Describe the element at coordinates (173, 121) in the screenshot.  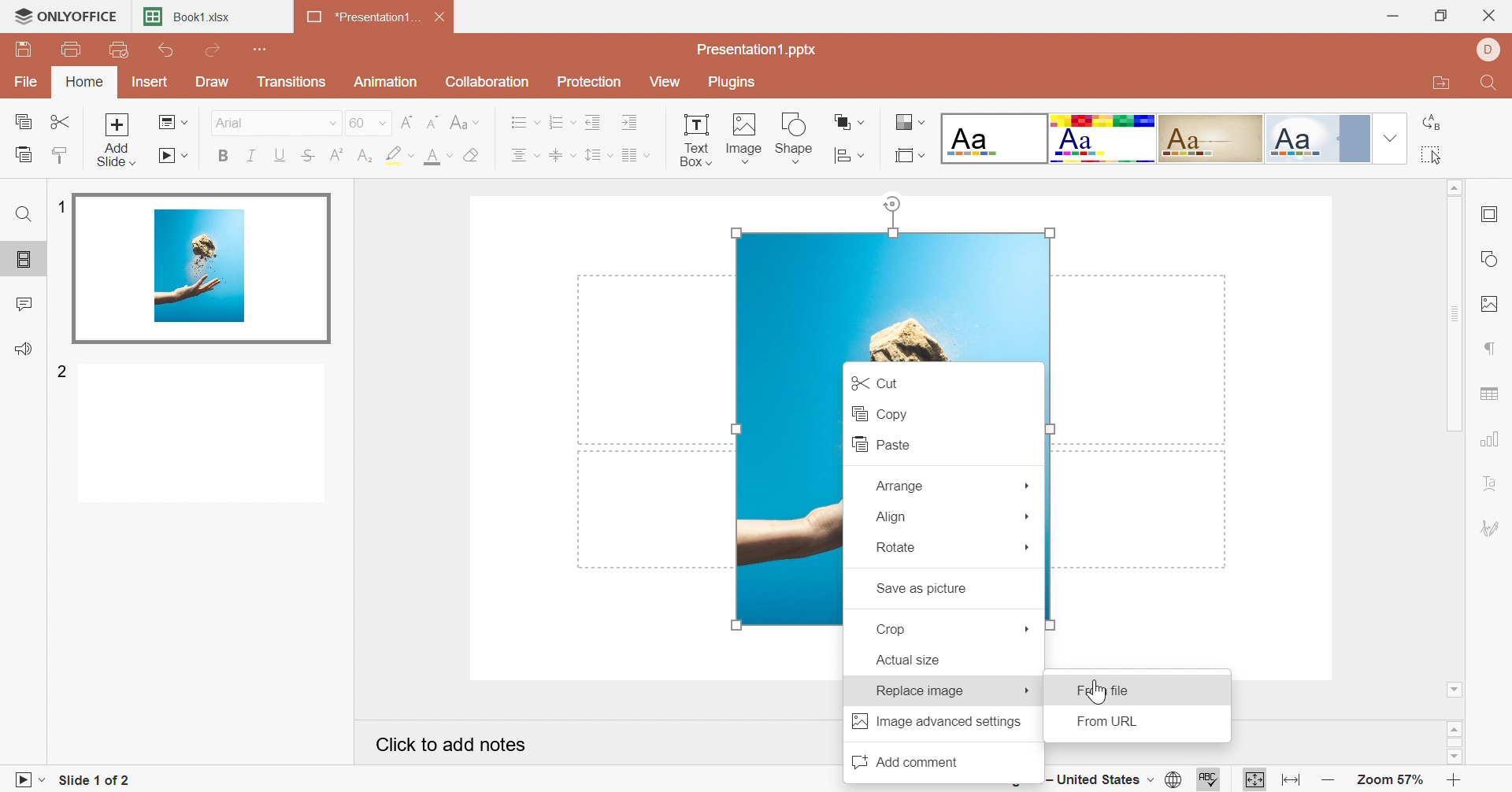
I see `Change slide layout` at that location.